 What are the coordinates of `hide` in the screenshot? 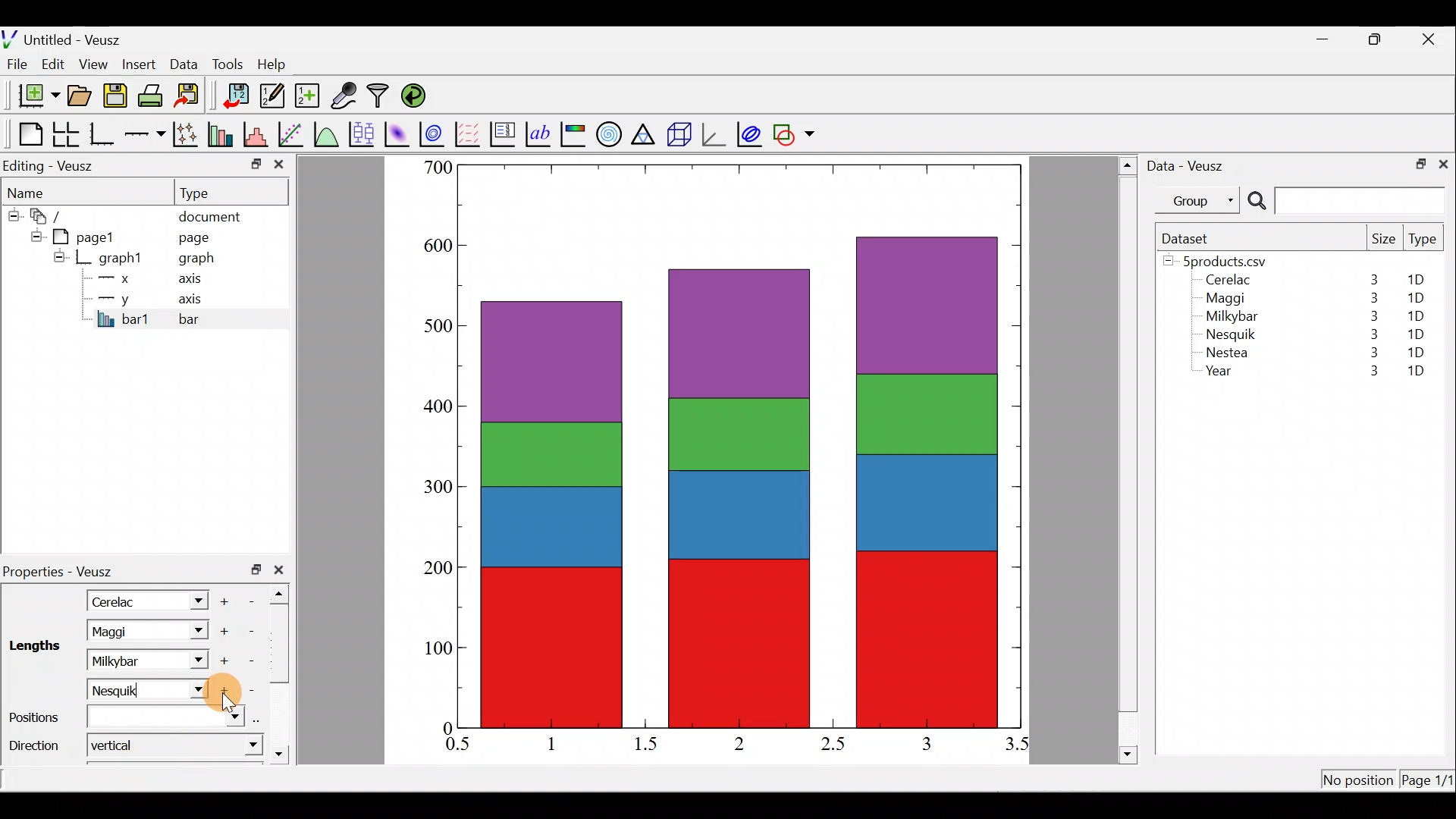 It's located at (59, 256).